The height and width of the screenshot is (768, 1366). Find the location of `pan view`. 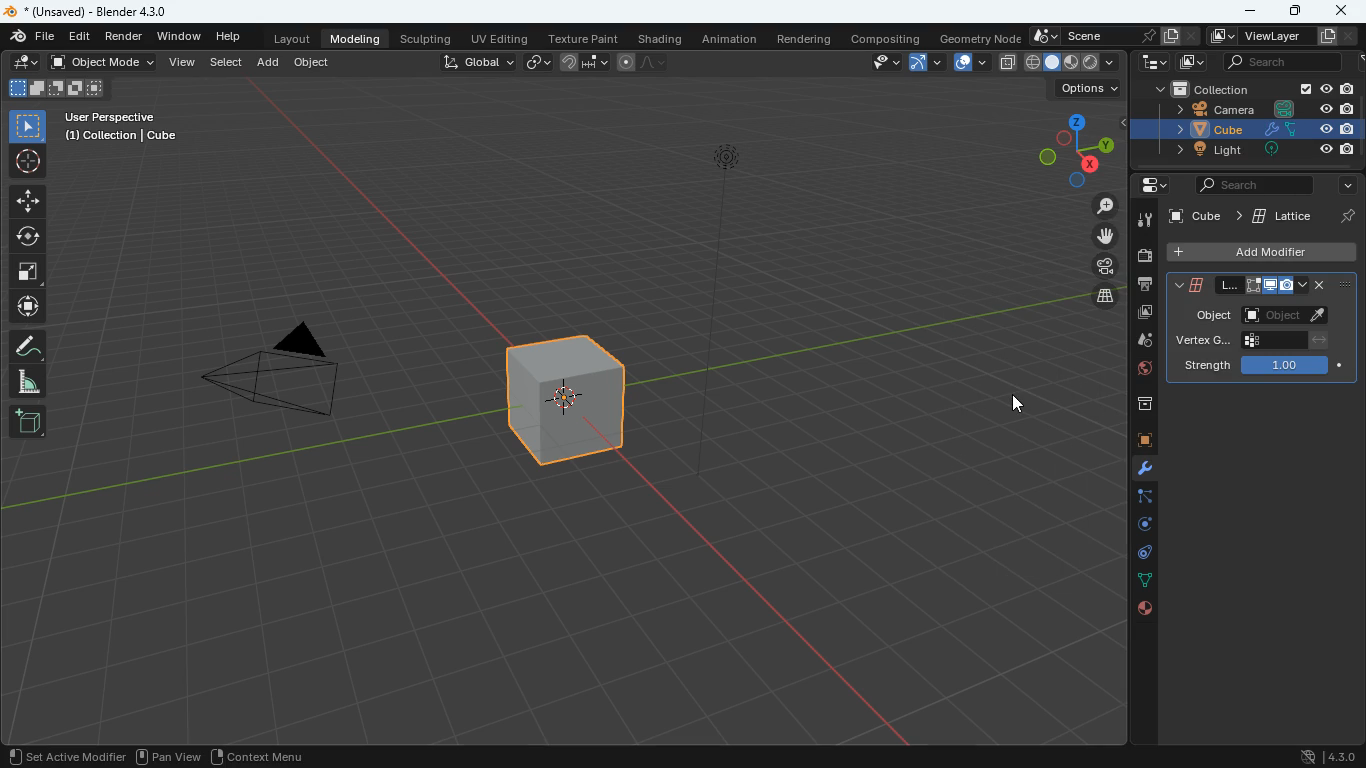

pan view is located at coordinates (167, 757).